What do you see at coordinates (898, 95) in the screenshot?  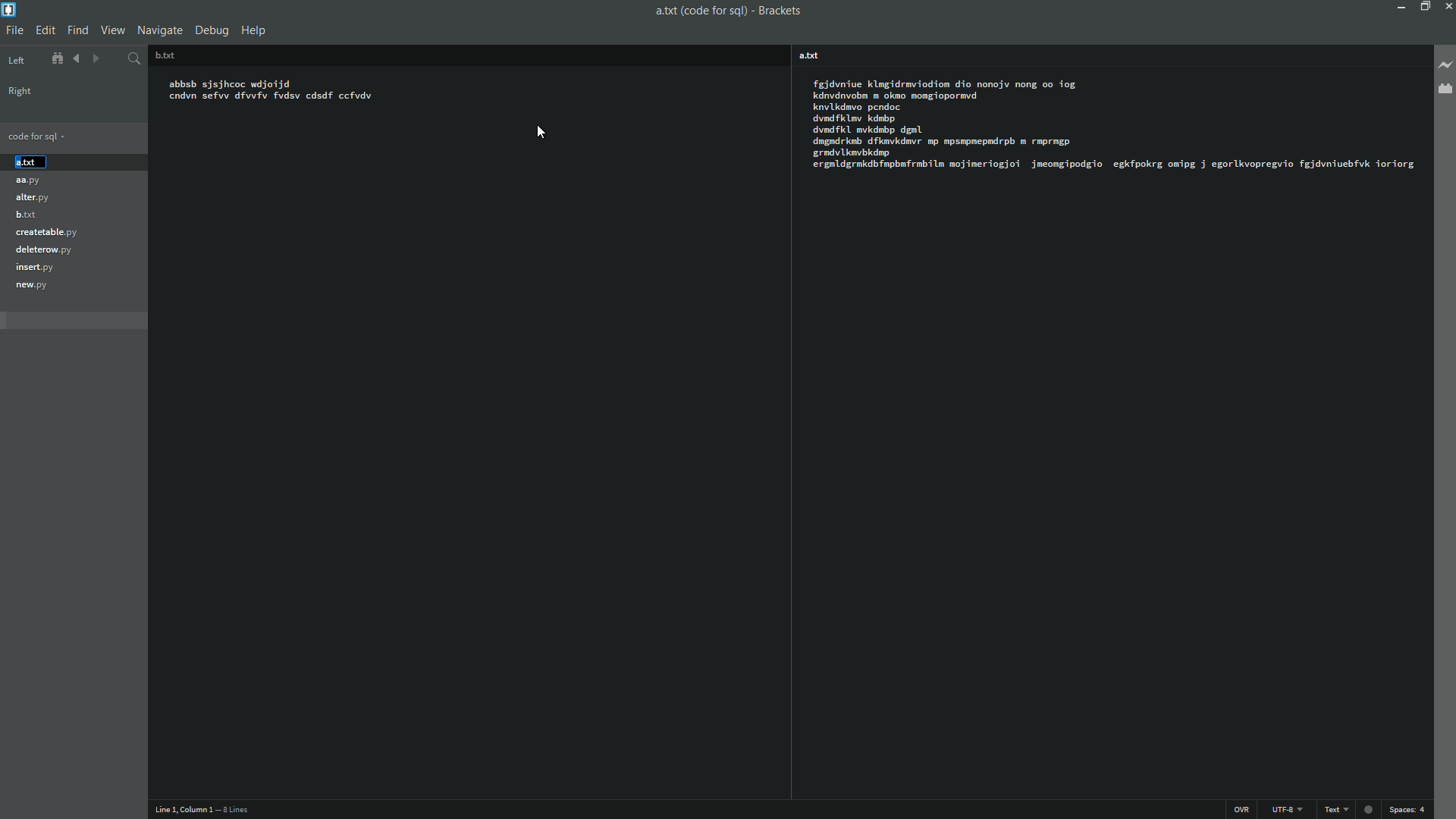 I see `kdnvdnvobm m okmo momgiopormvd` at bounding box center [898, 95].